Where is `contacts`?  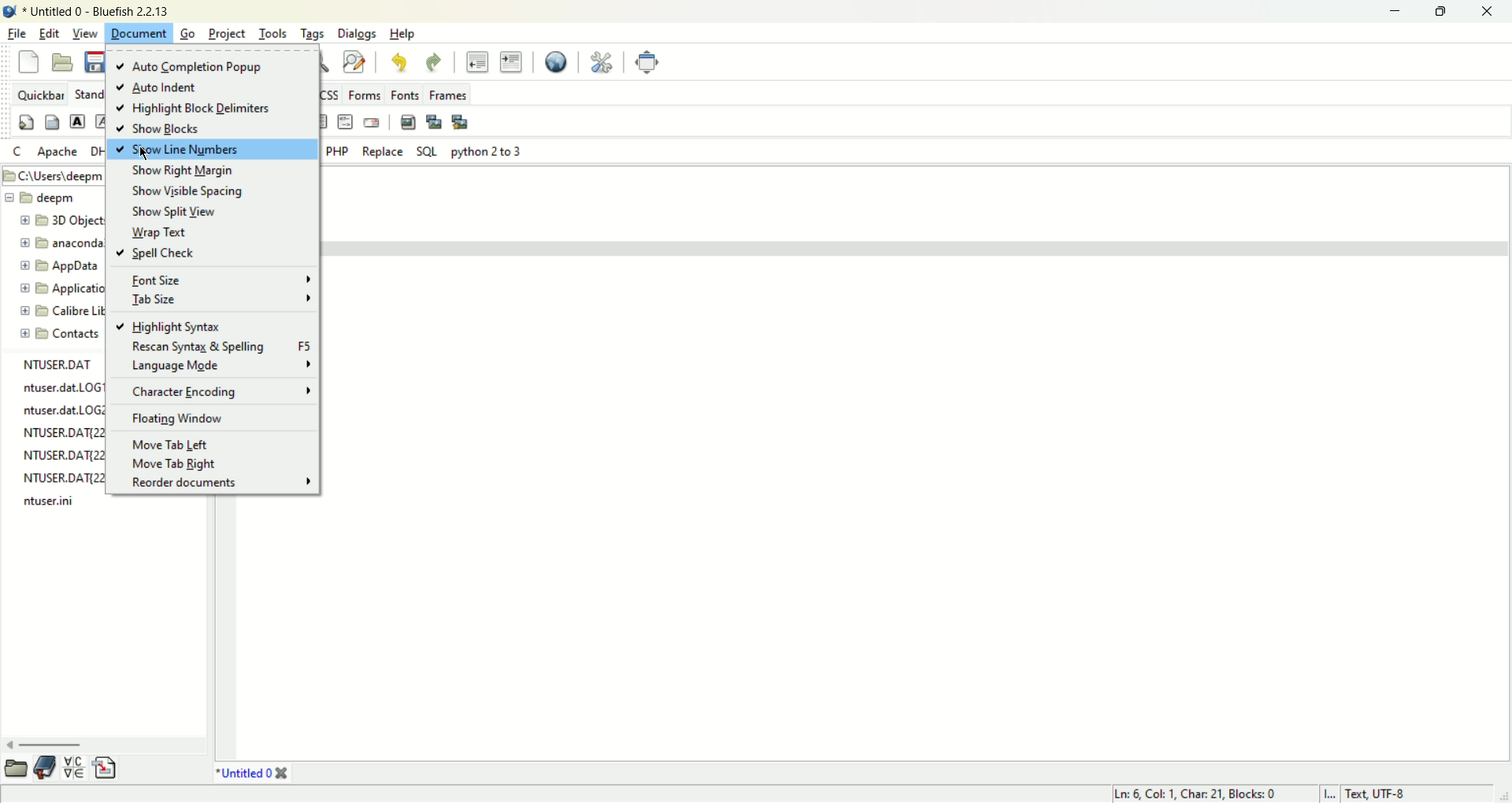 contacts is located at coordinates (60, 334).